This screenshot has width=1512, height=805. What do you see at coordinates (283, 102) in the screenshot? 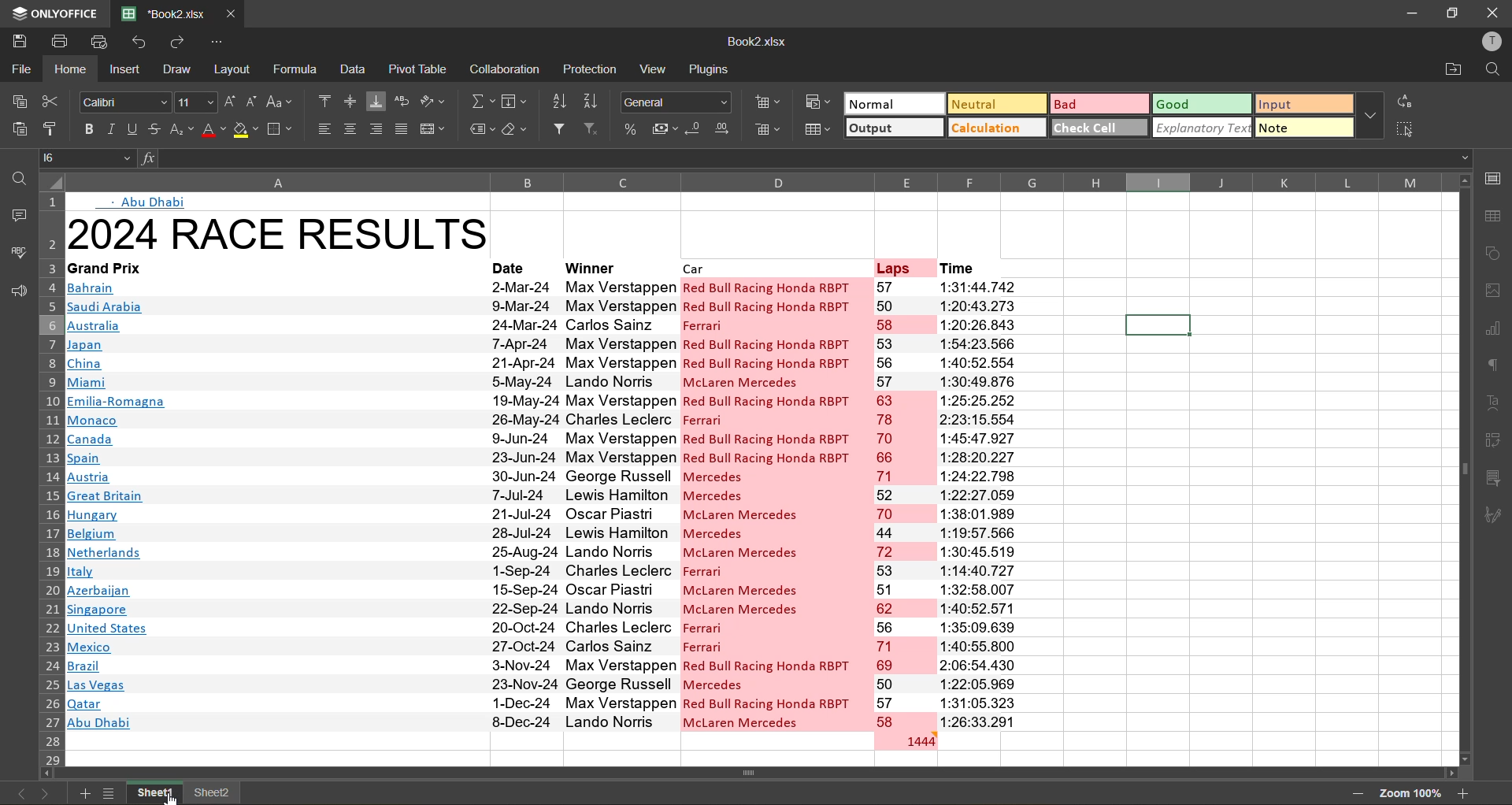
I see `change case` at bounding box center [283, 102].